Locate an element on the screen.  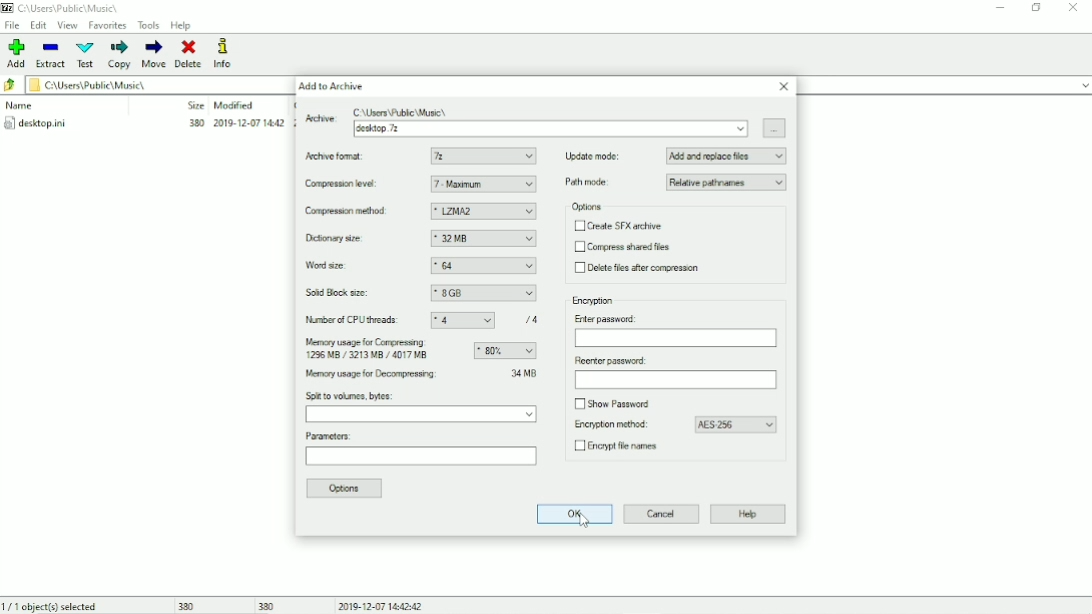
Reenter password is located at coordinates (609, 361).